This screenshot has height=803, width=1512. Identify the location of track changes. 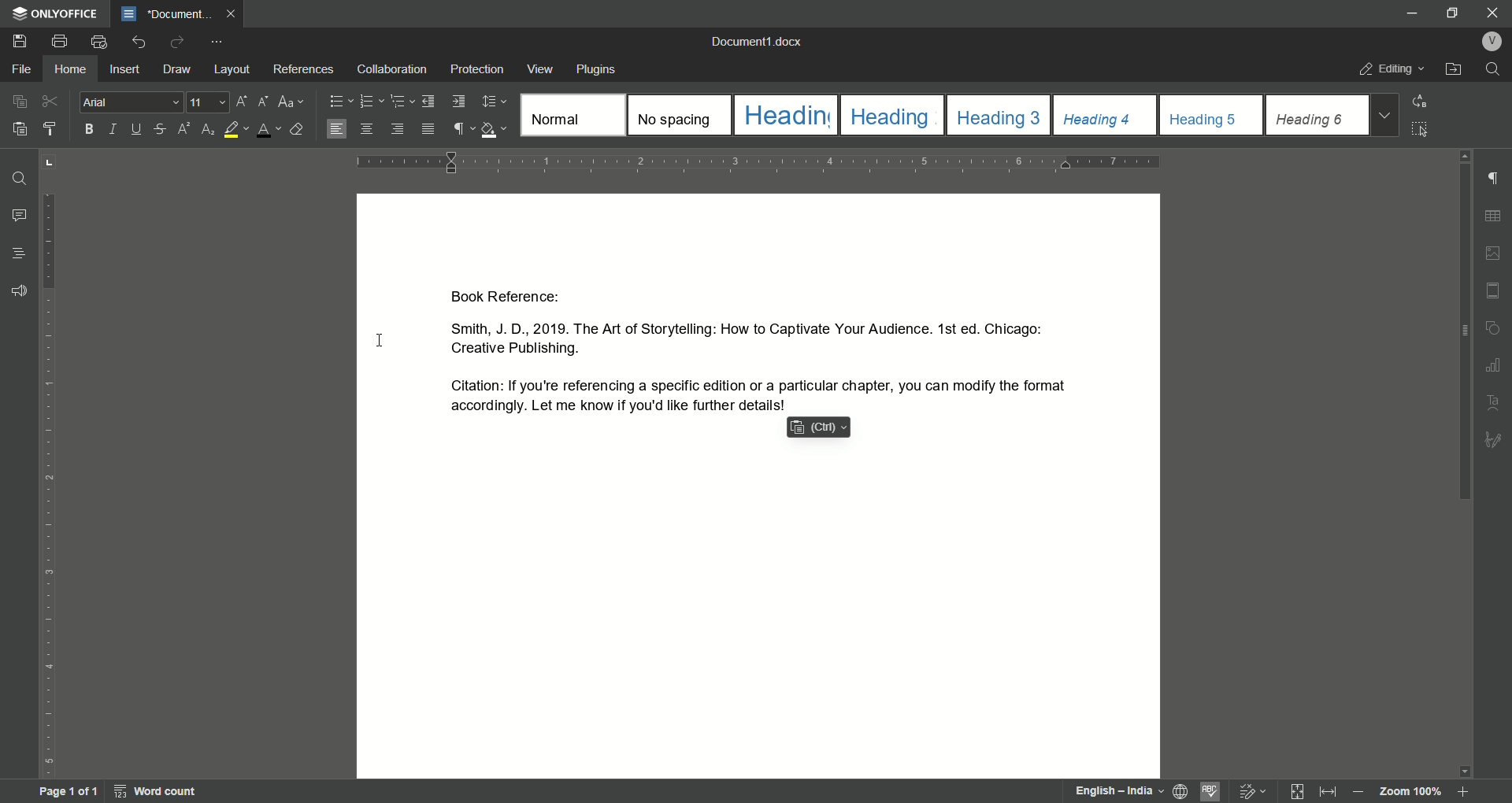
(1249, 790).